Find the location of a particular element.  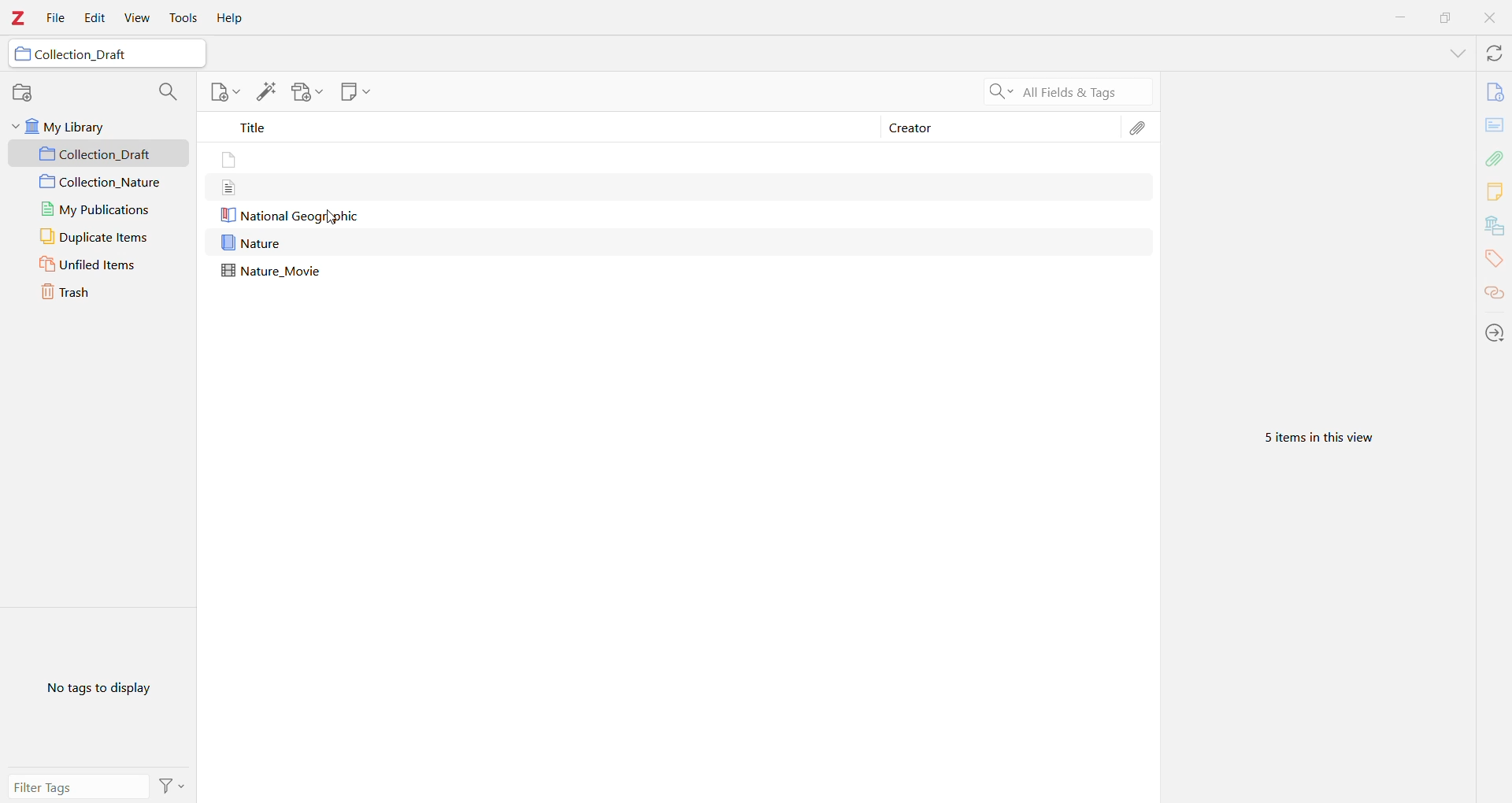

New Collection is located at coordinates (23, 94).